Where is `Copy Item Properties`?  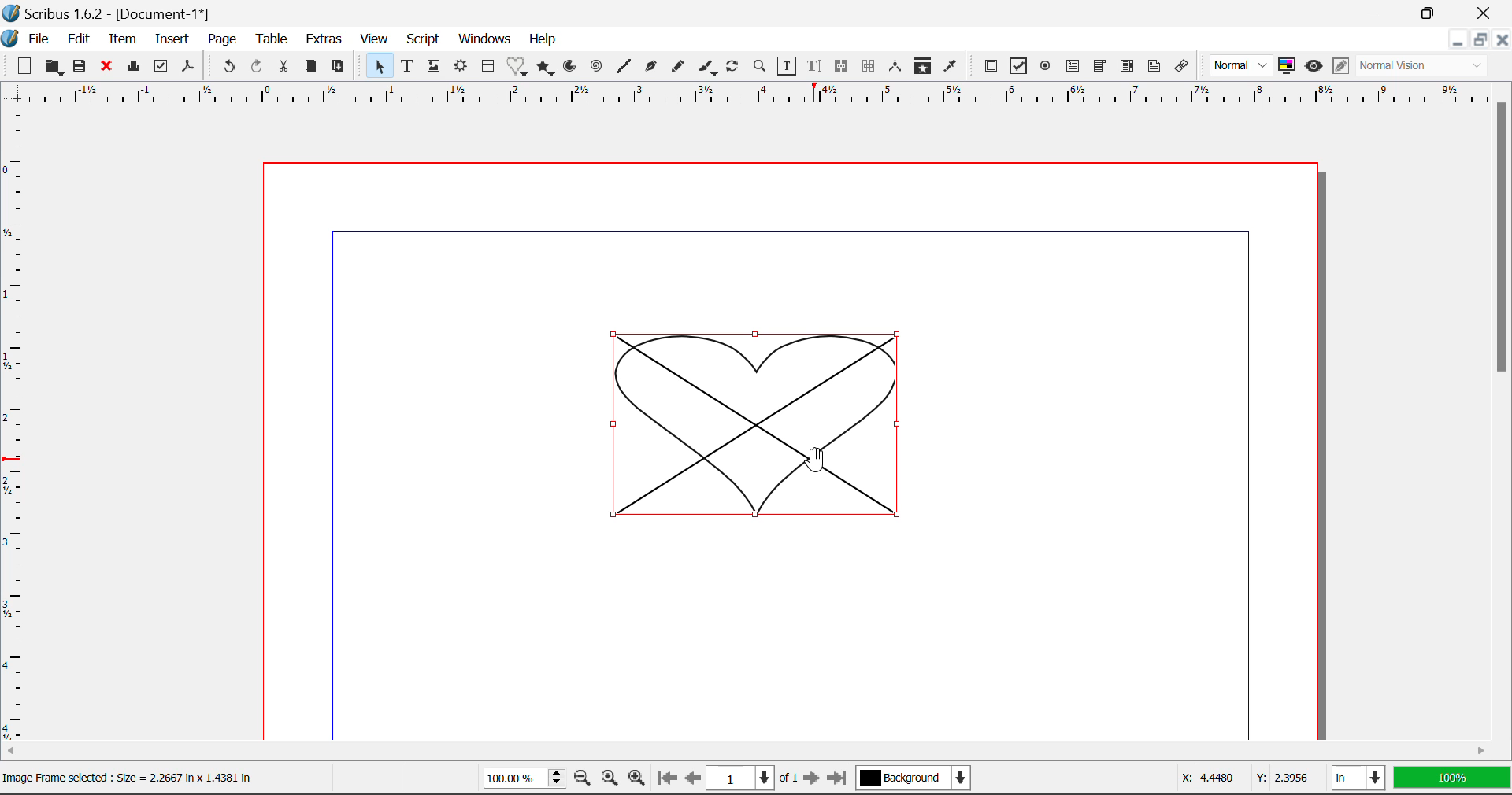 Copy Item Properties is located at coordinates (926, 68).